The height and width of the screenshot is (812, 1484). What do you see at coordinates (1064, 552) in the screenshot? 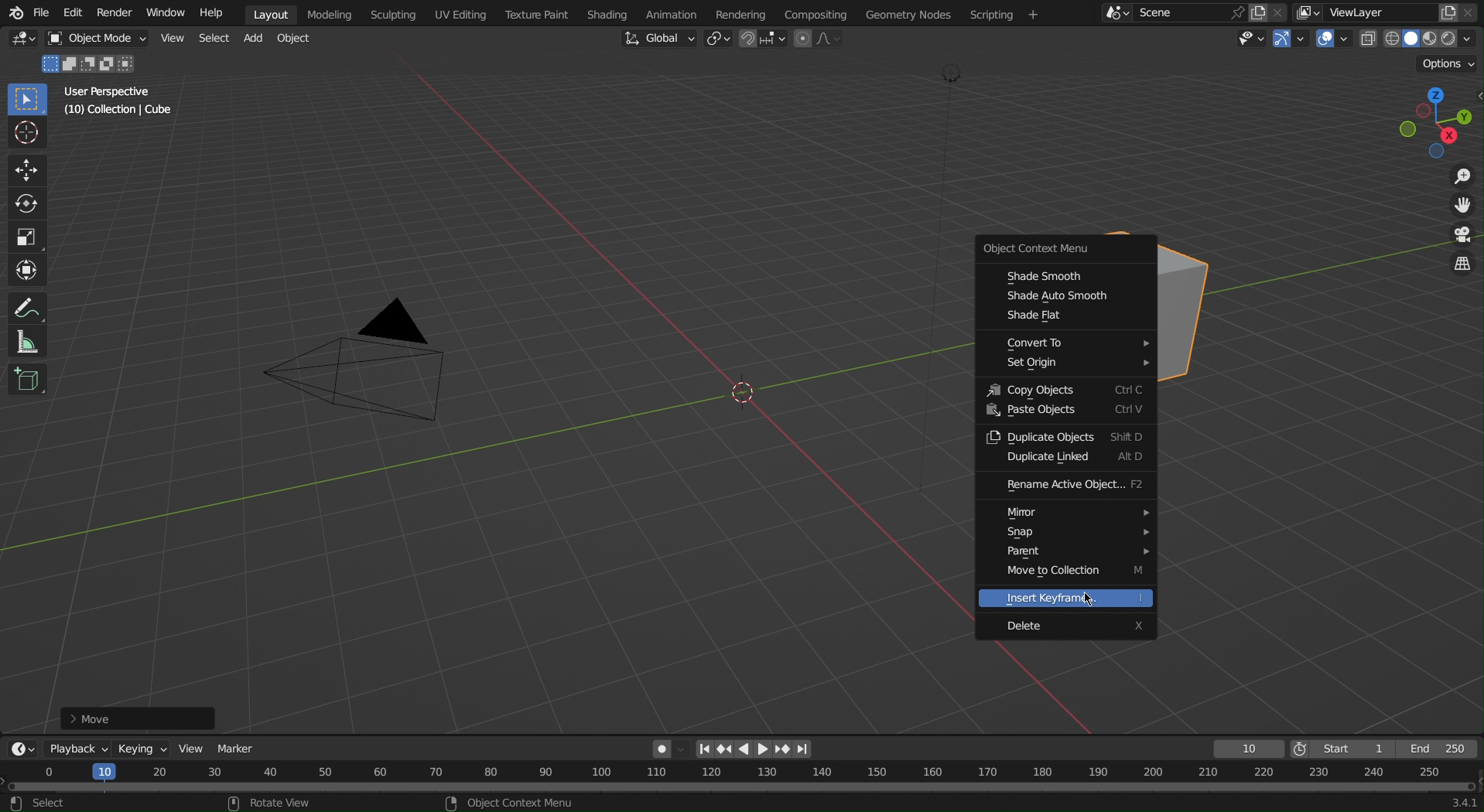
I see `Revert` at bounding box center [1064, 552].